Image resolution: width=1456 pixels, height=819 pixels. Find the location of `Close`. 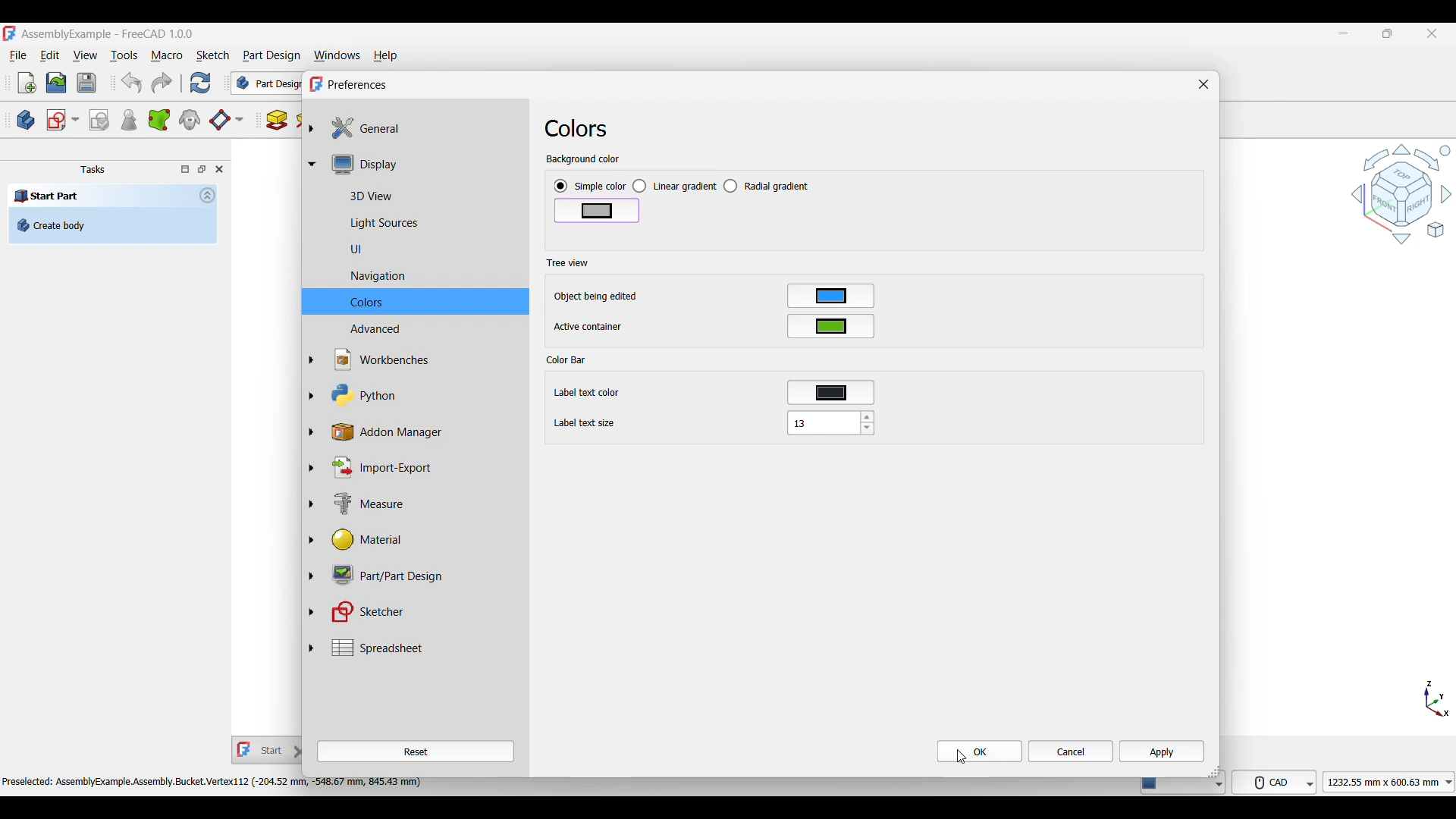

Close is located at coordinates (1203, 84).